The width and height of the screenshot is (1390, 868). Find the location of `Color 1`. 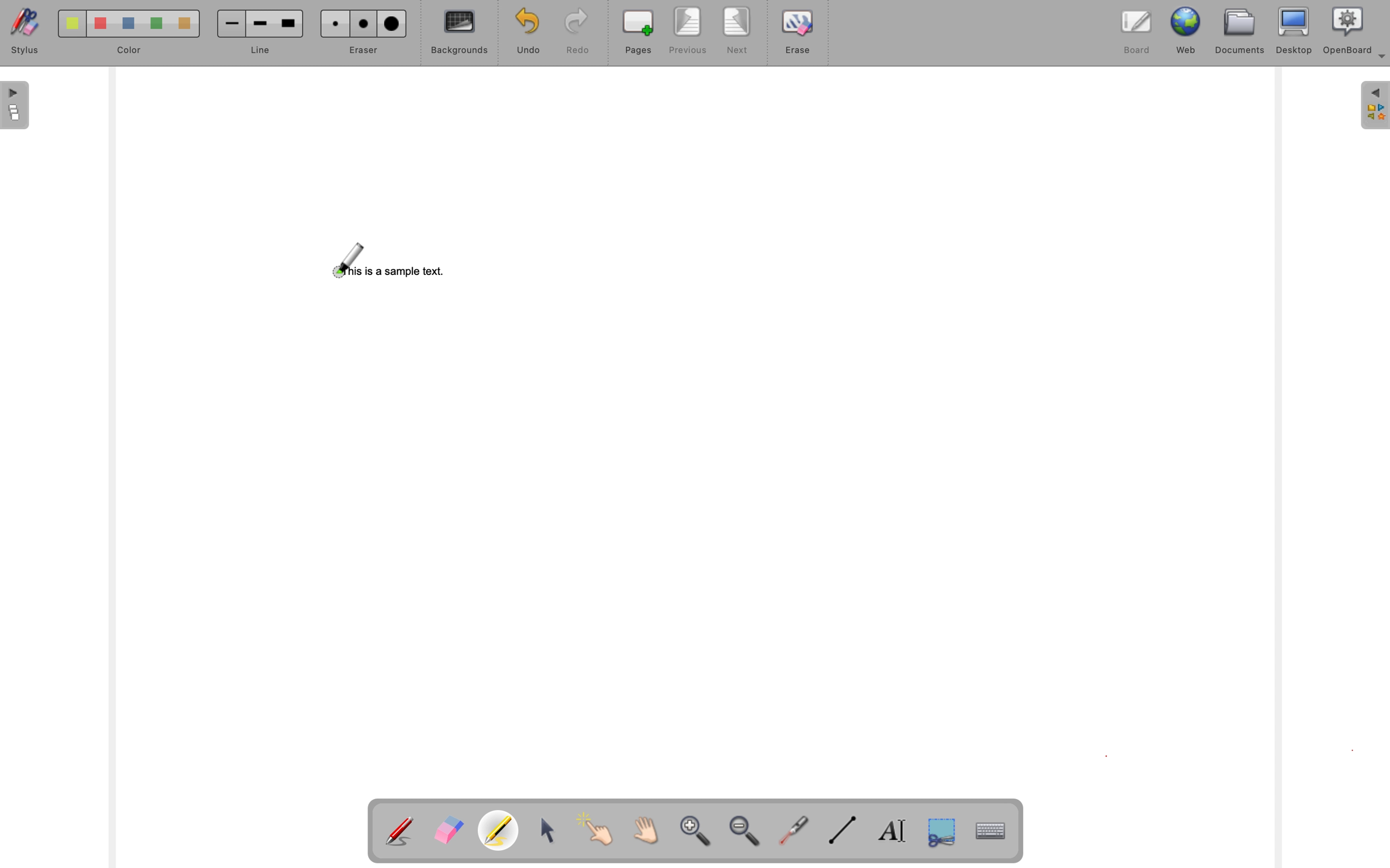

Color 1 is located at coordinates (74, 24).